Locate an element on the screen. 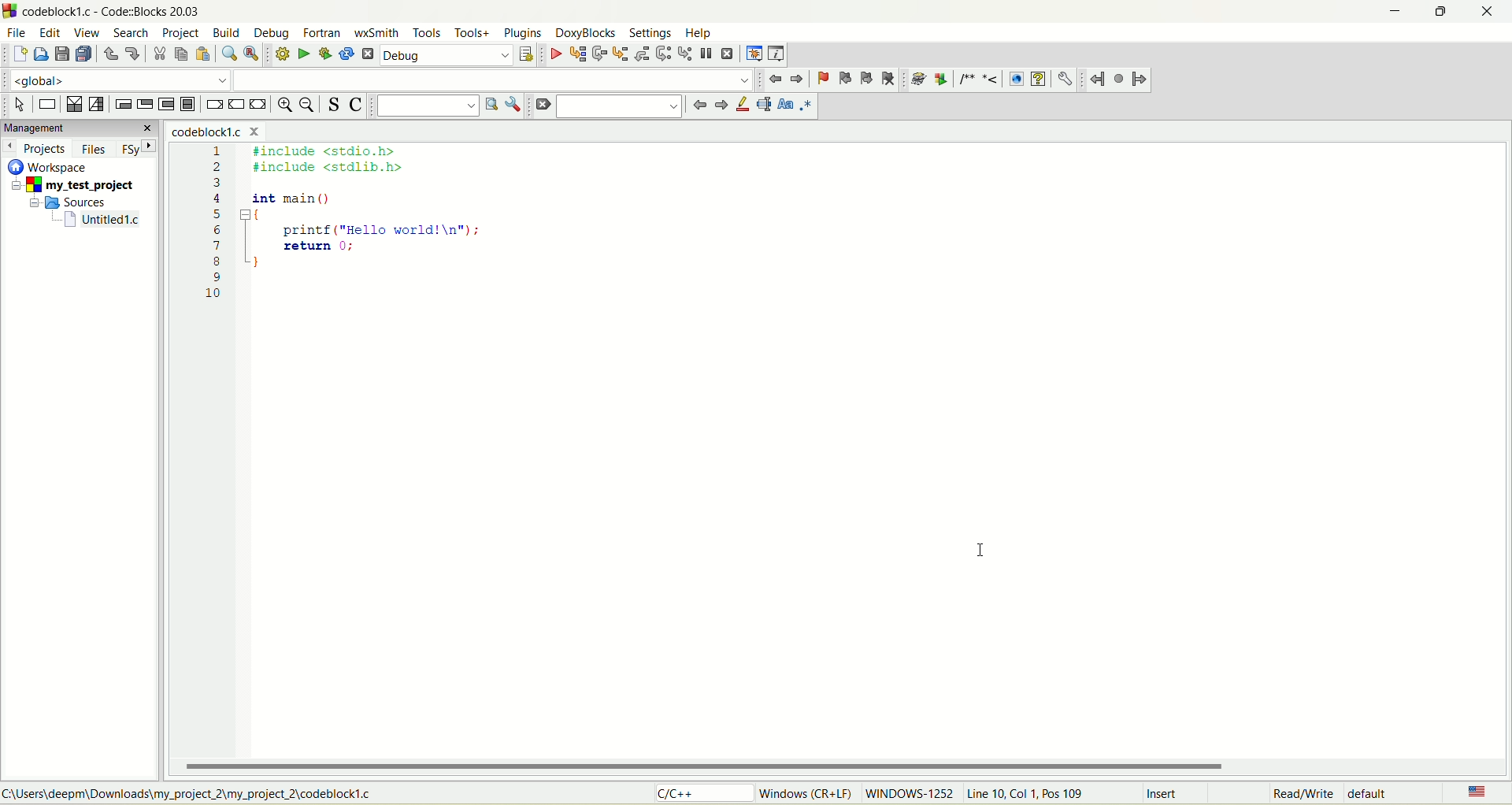 The width and height of the screenshot is (1512, 805). projects is located at coordinates (37, 148).